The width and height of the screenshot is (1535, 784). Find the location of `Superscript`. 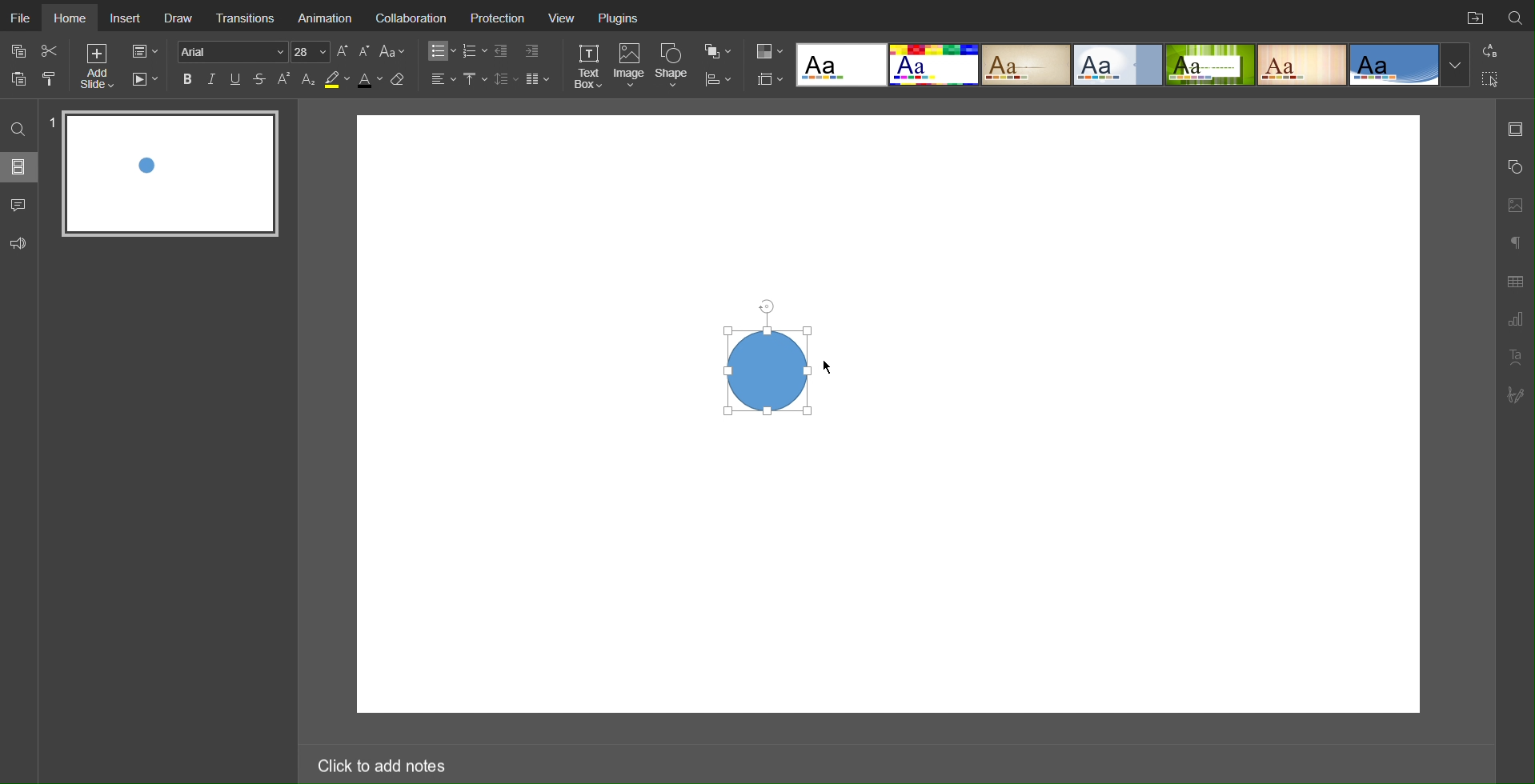

Superscript is located at coordinates (285, 79).